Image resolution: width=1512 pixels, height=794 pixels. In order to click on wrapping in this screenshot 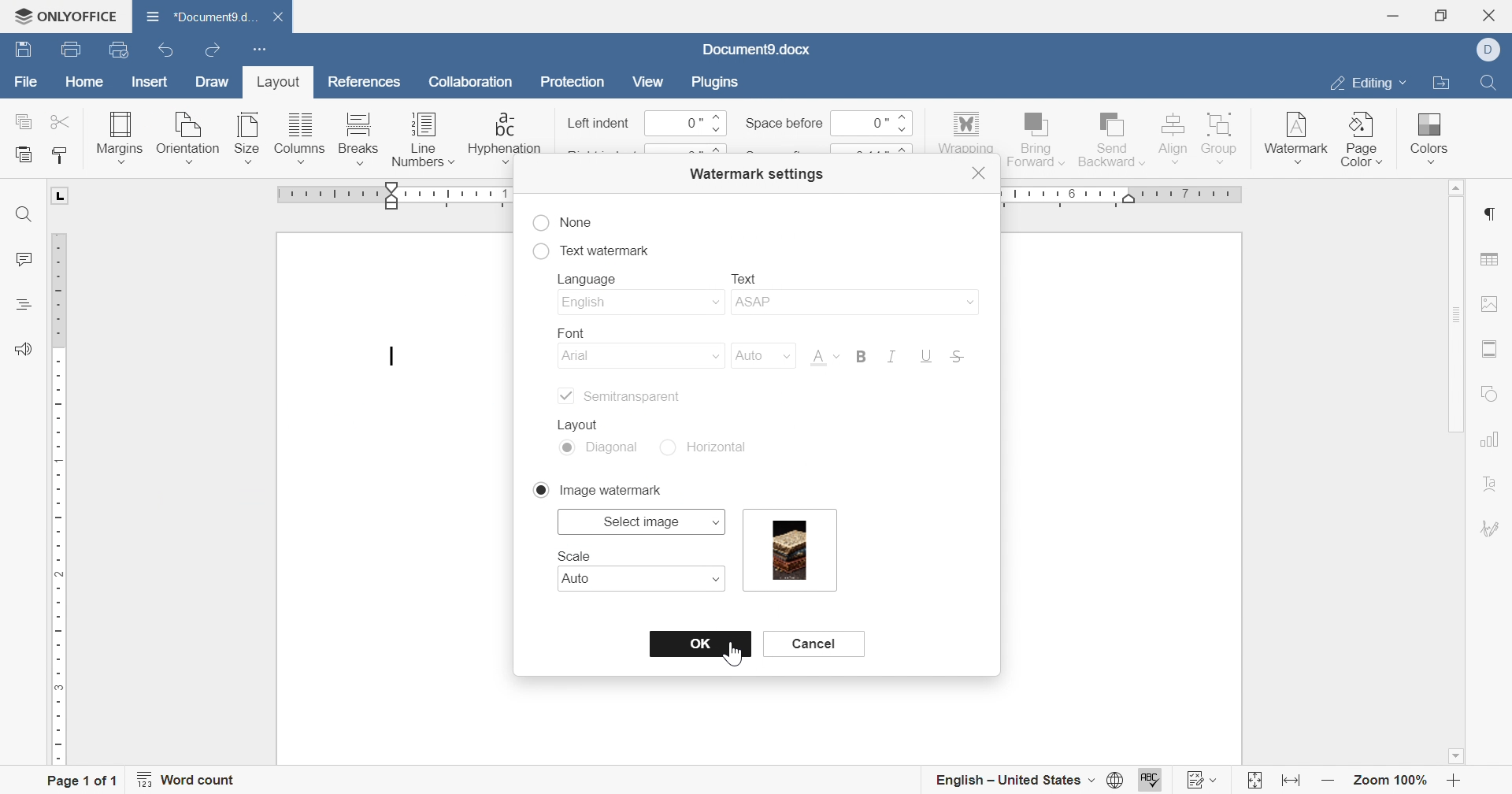, I will do `click(965, 133)`.